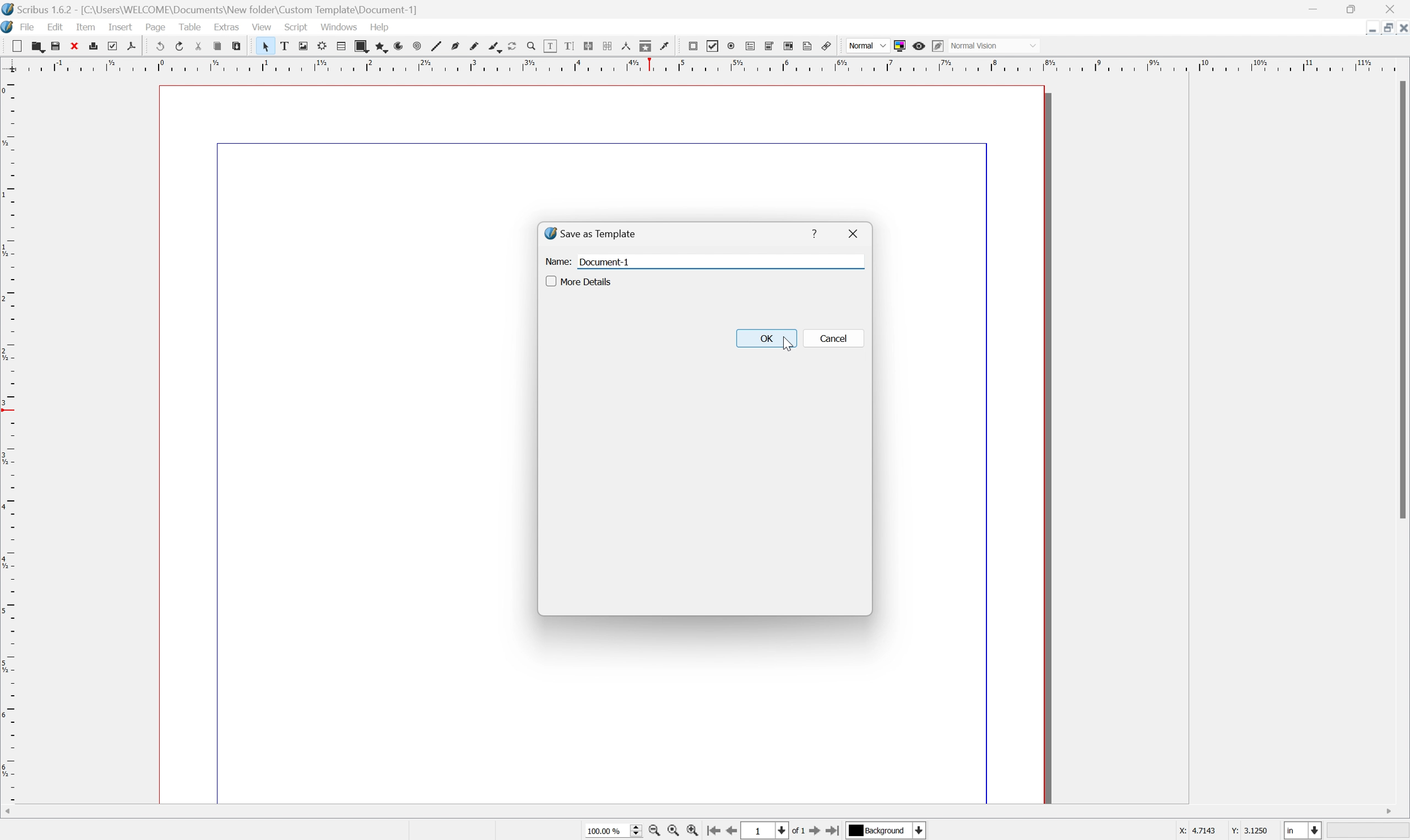  Describe the element at coordinates (580, 281) in the screenshot. I see `More details` at that location.